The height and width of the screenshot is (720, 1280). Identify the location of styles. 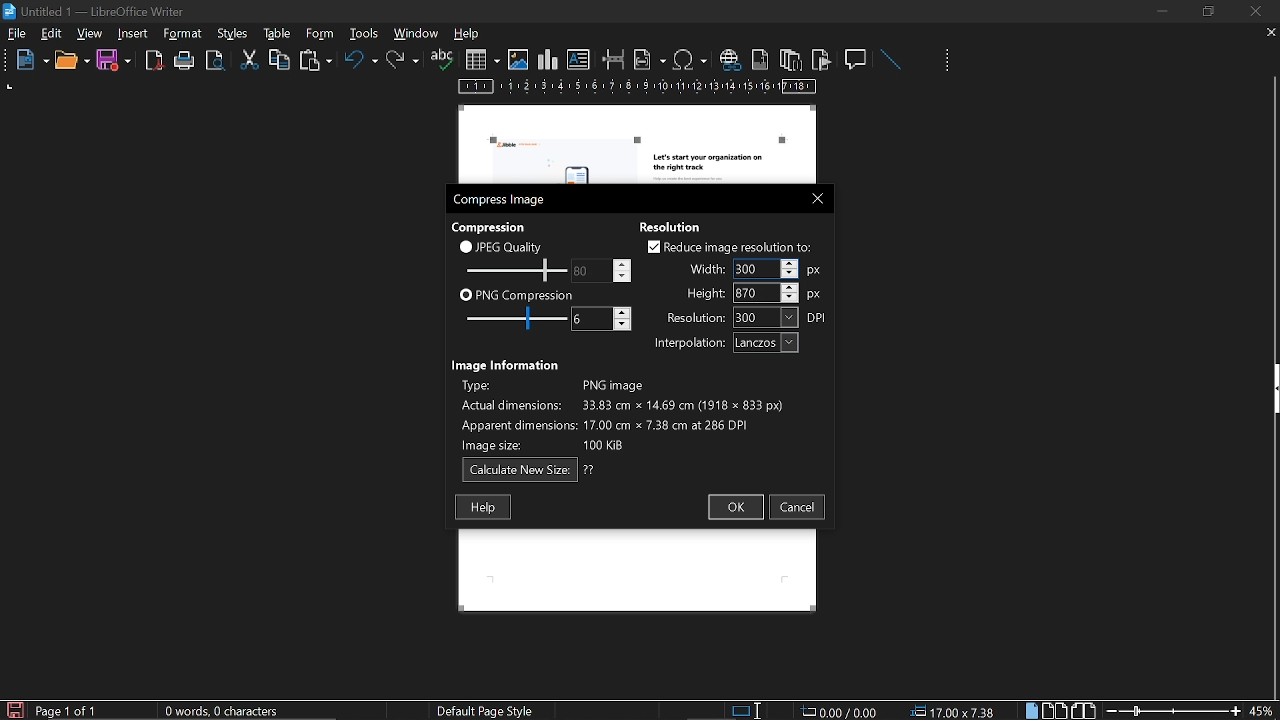
(274, 33).